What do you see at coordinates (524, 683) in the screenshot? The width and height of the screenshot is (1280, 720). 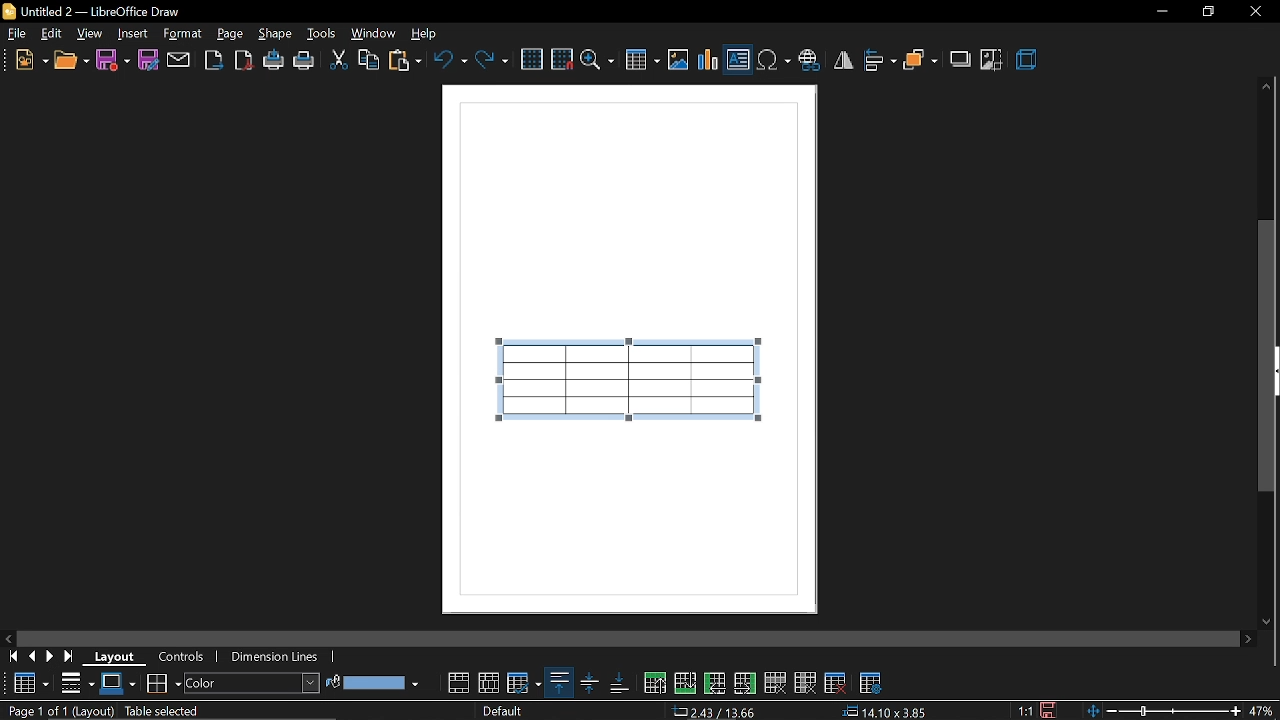 I see `optimize` at bounding box center [524, 683].